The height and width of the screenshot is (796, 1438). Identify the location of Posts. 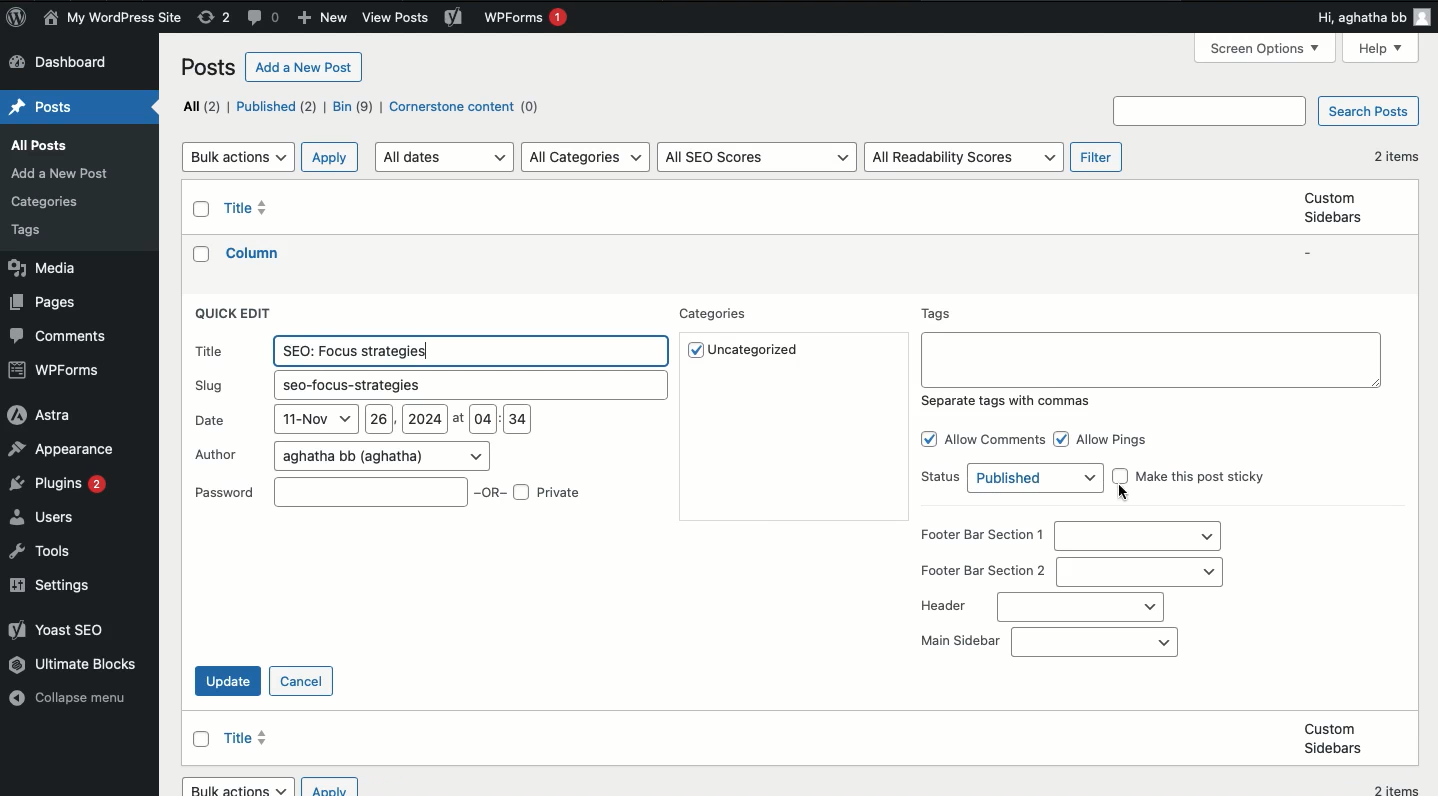
(211, 70).